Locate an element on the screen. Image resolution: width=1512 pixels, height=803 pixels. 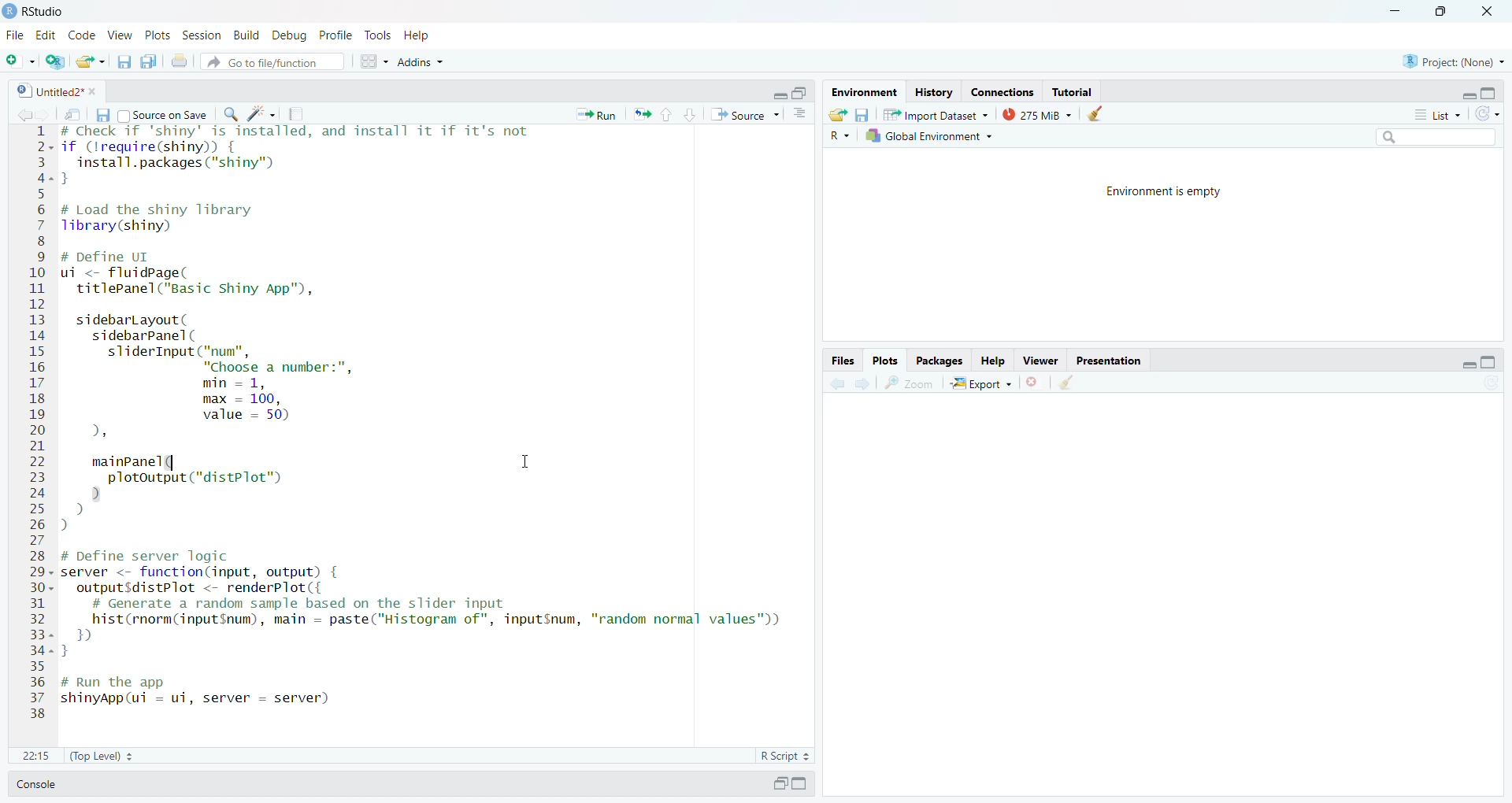
mainPanel(]
plotoutput ("distPlot")
)
)
) is located at coordinates (192, 495).